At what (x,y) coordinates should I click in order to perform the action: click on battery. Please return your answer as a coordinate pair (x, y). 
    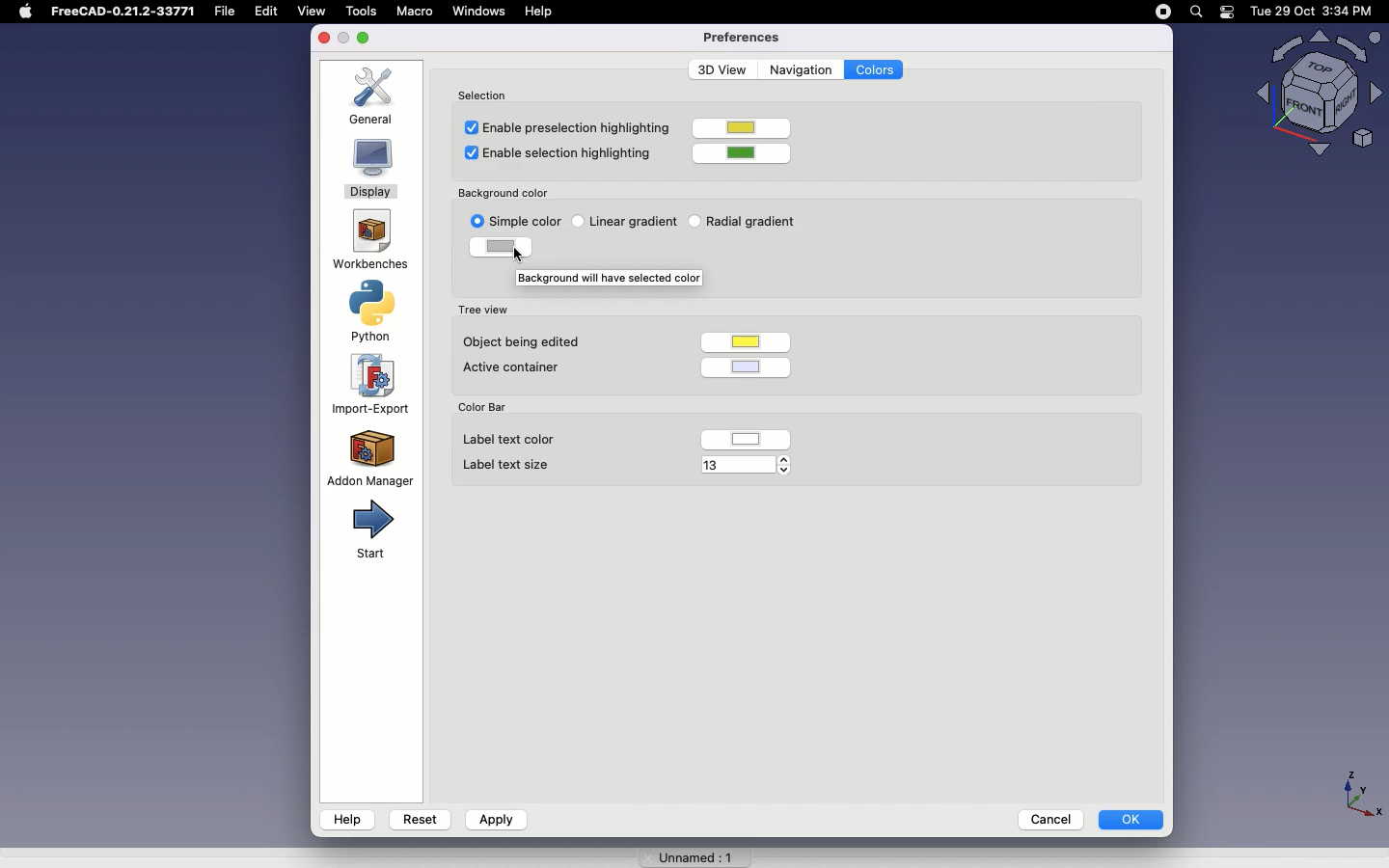
    Looking at the image, I should click on (1228, 14).